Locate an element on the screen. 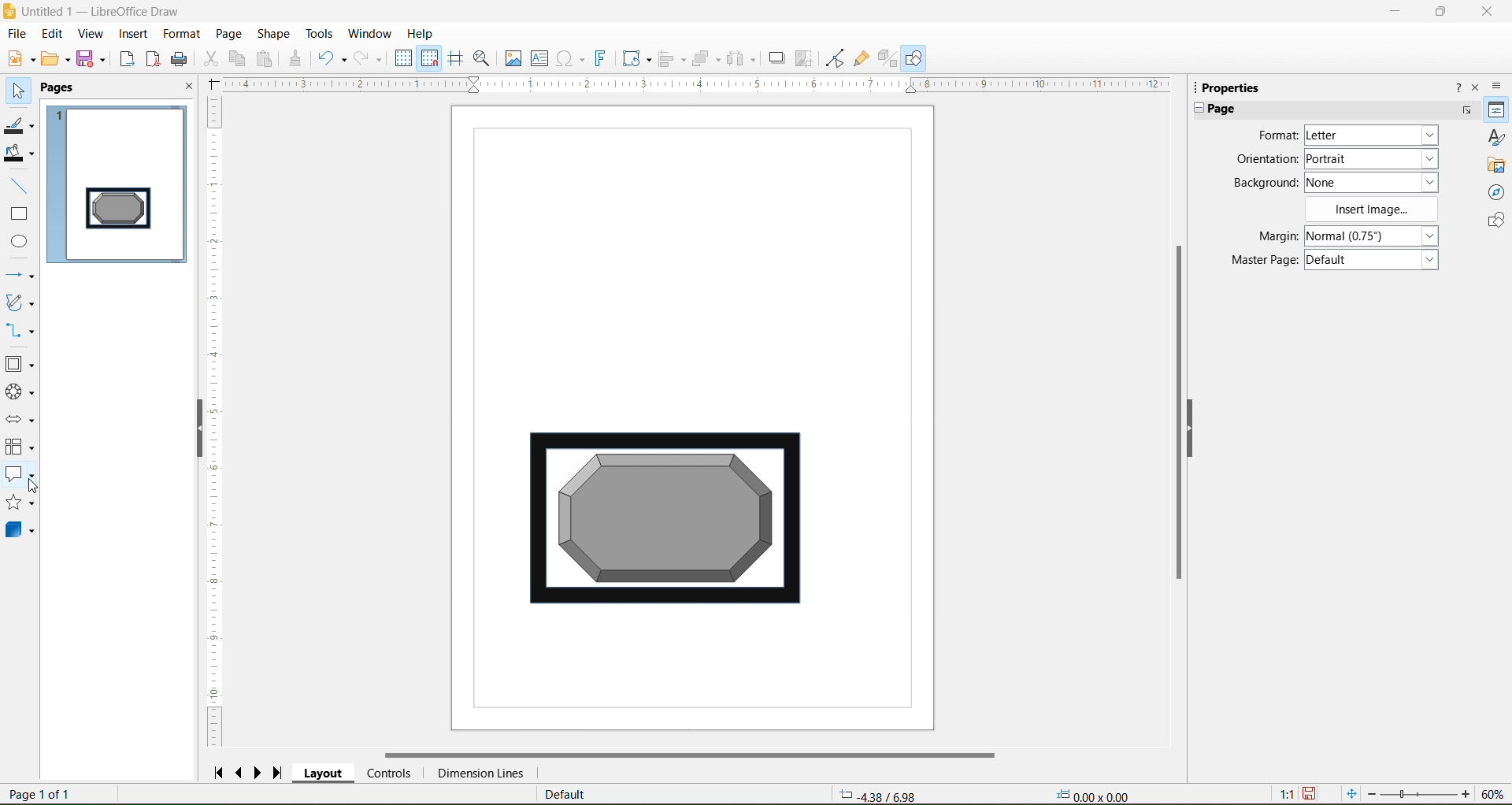  Help is located at coordinates (421, 33).